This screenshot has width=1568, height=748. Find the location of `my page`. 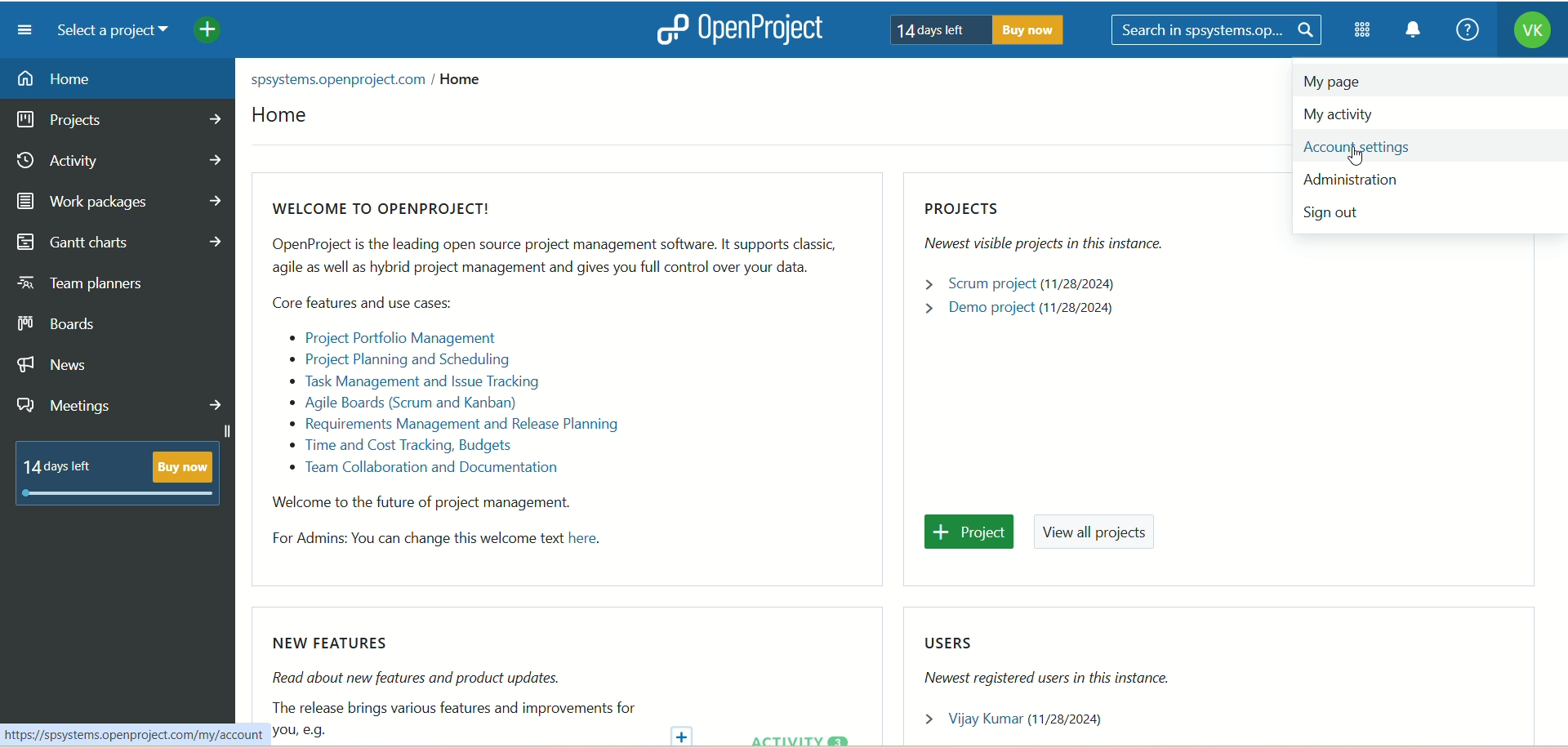

my page is located at coordinates (1330, 82).